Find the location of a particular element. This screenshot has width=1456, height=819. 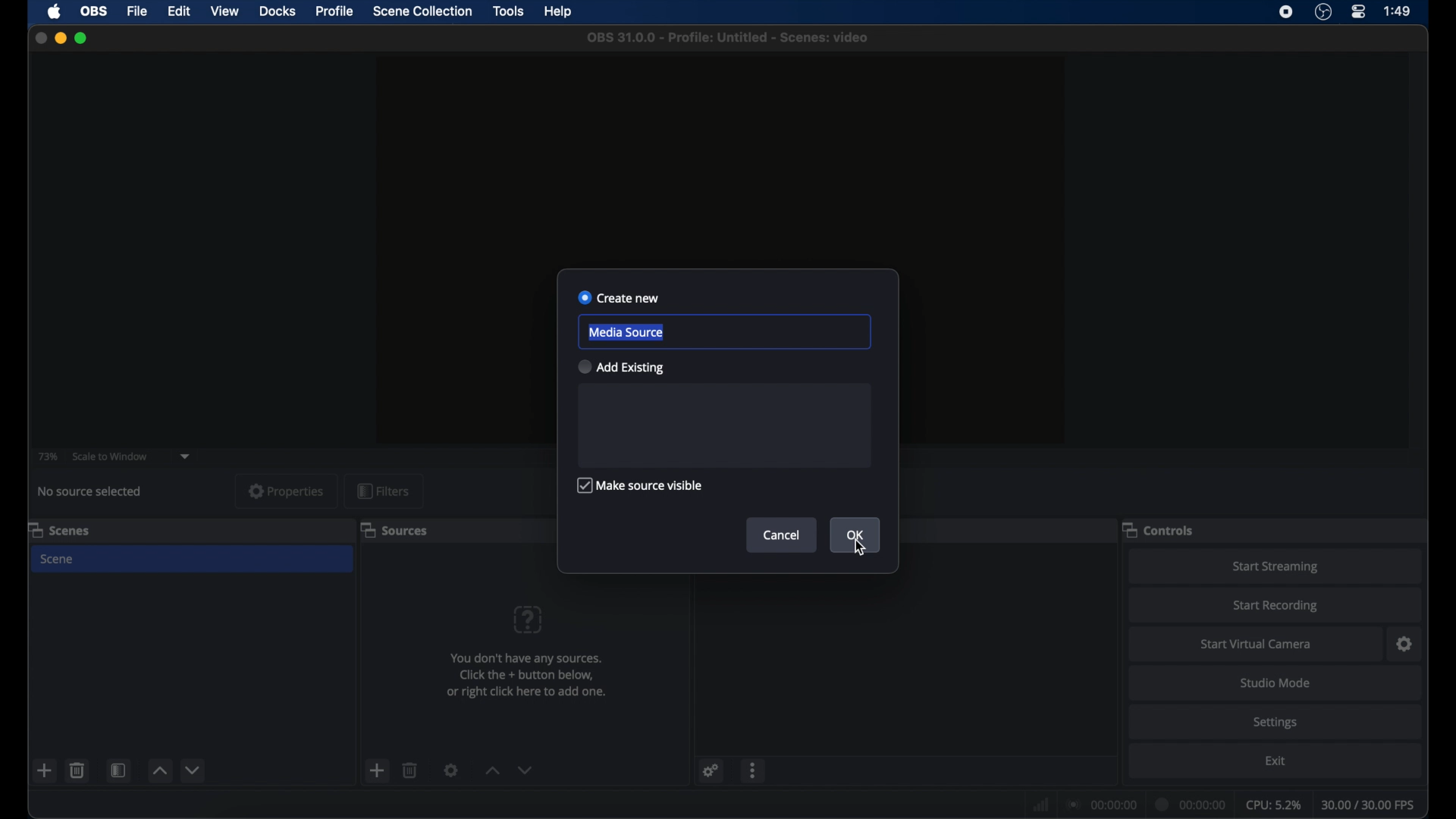

scenes is located at coordinates (60, 529).